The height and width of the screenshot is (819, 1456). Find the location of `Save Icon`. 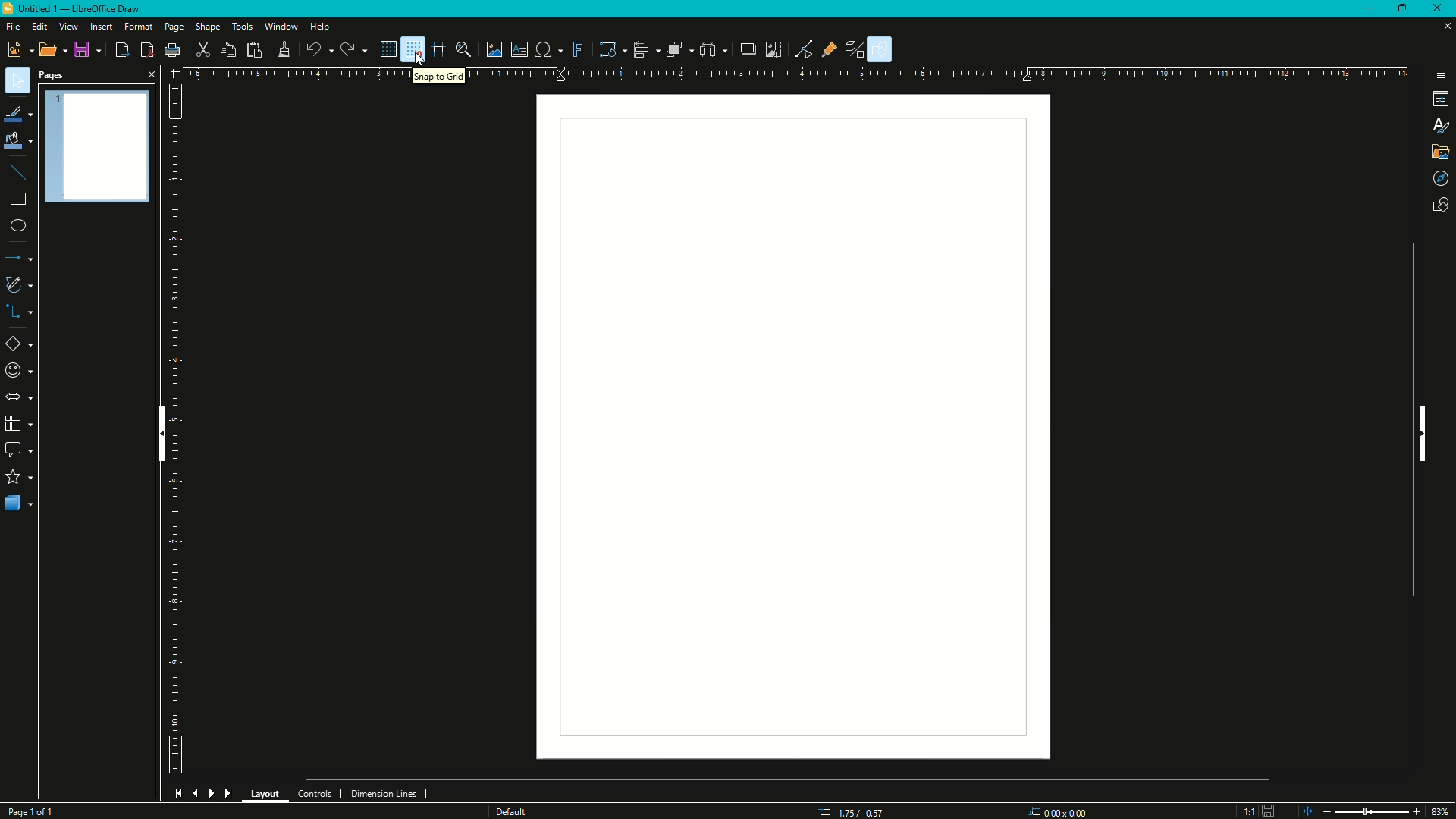

Save Icon is located at coordinates (1258, 808).